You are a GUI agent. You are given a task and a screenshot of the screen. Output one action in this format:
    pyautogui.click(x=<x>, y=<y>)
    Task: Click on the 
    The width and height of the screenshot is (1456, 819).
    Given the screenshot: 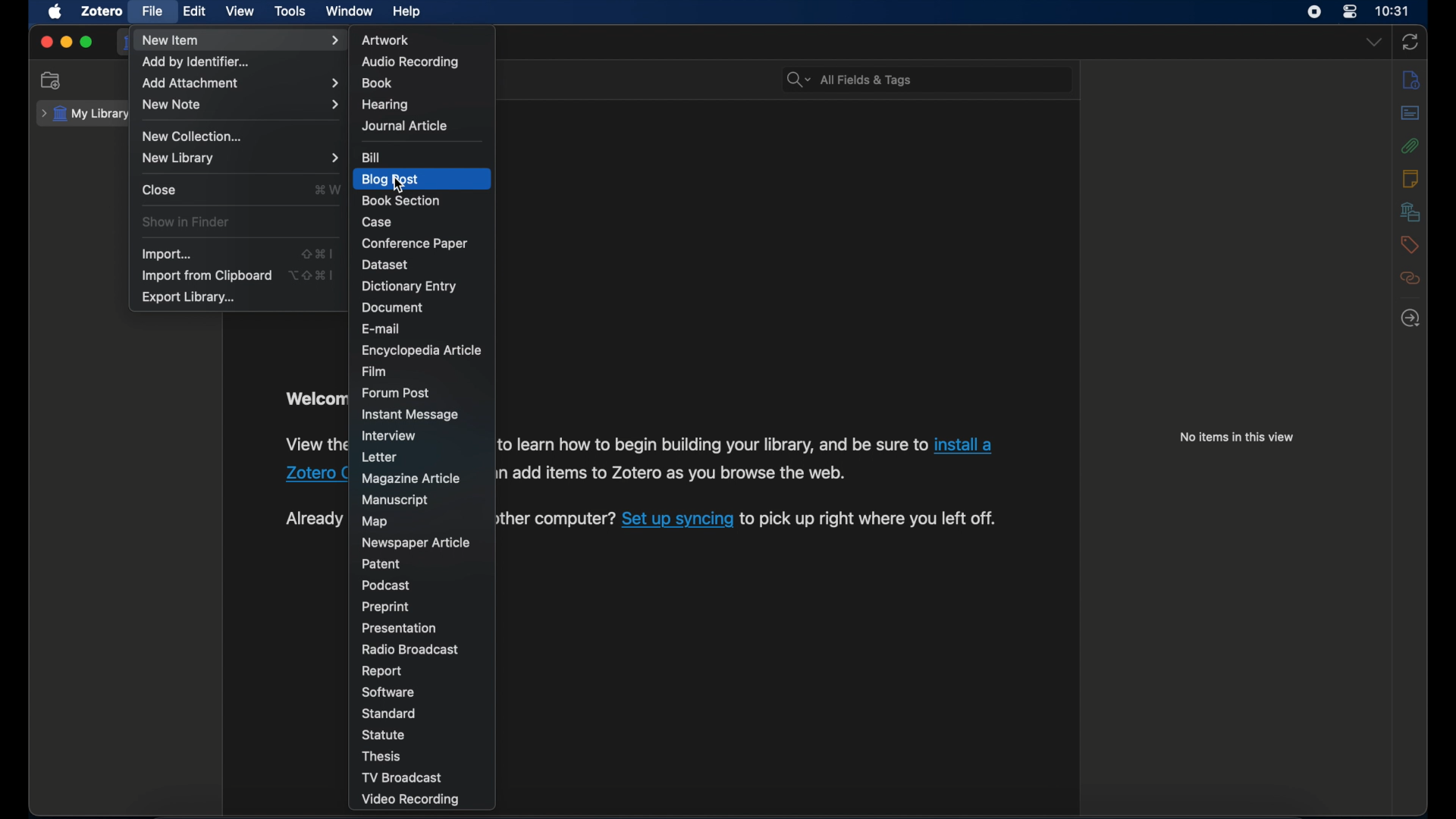 What is the action you would take?
    pyautogui.click(x=677, y=519)
    